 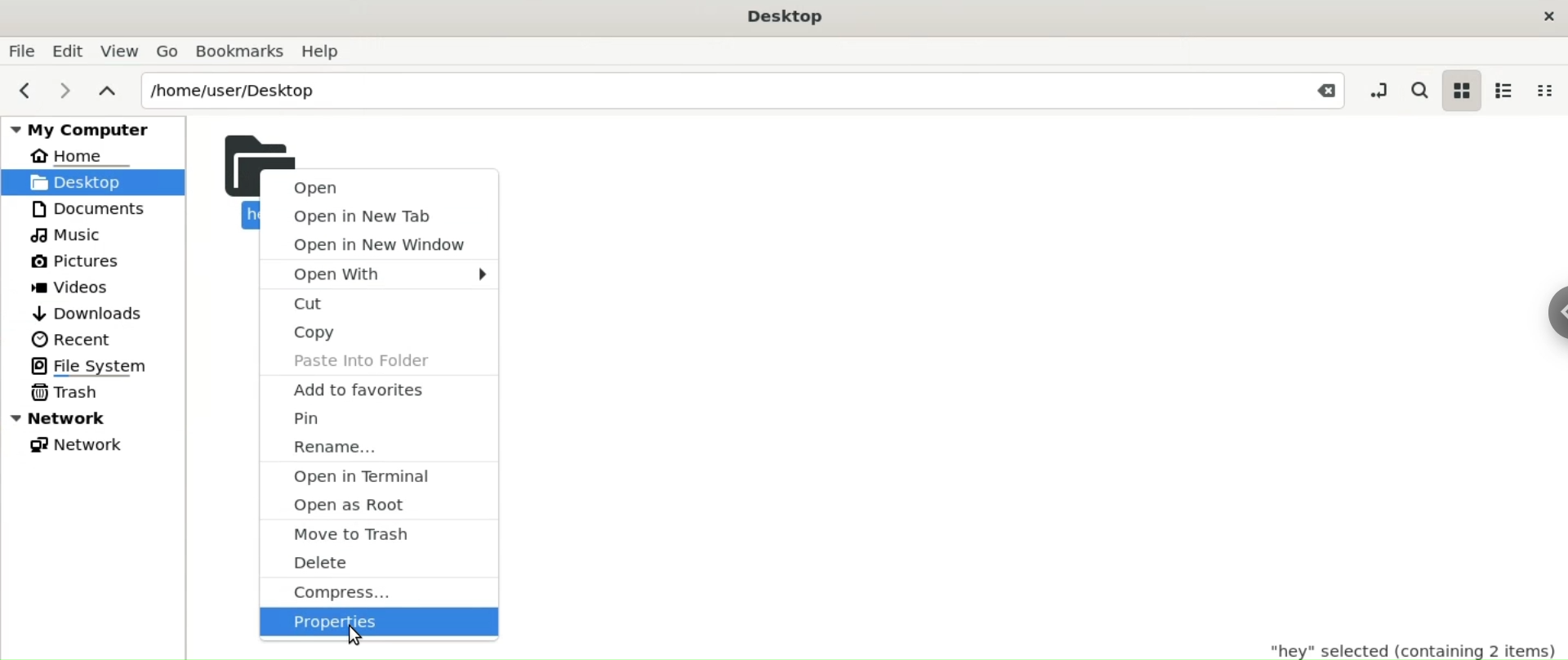 What do you see at coordinates (379, 560) in the screenshot?
I see `delete` at bounding box center [379, 560].